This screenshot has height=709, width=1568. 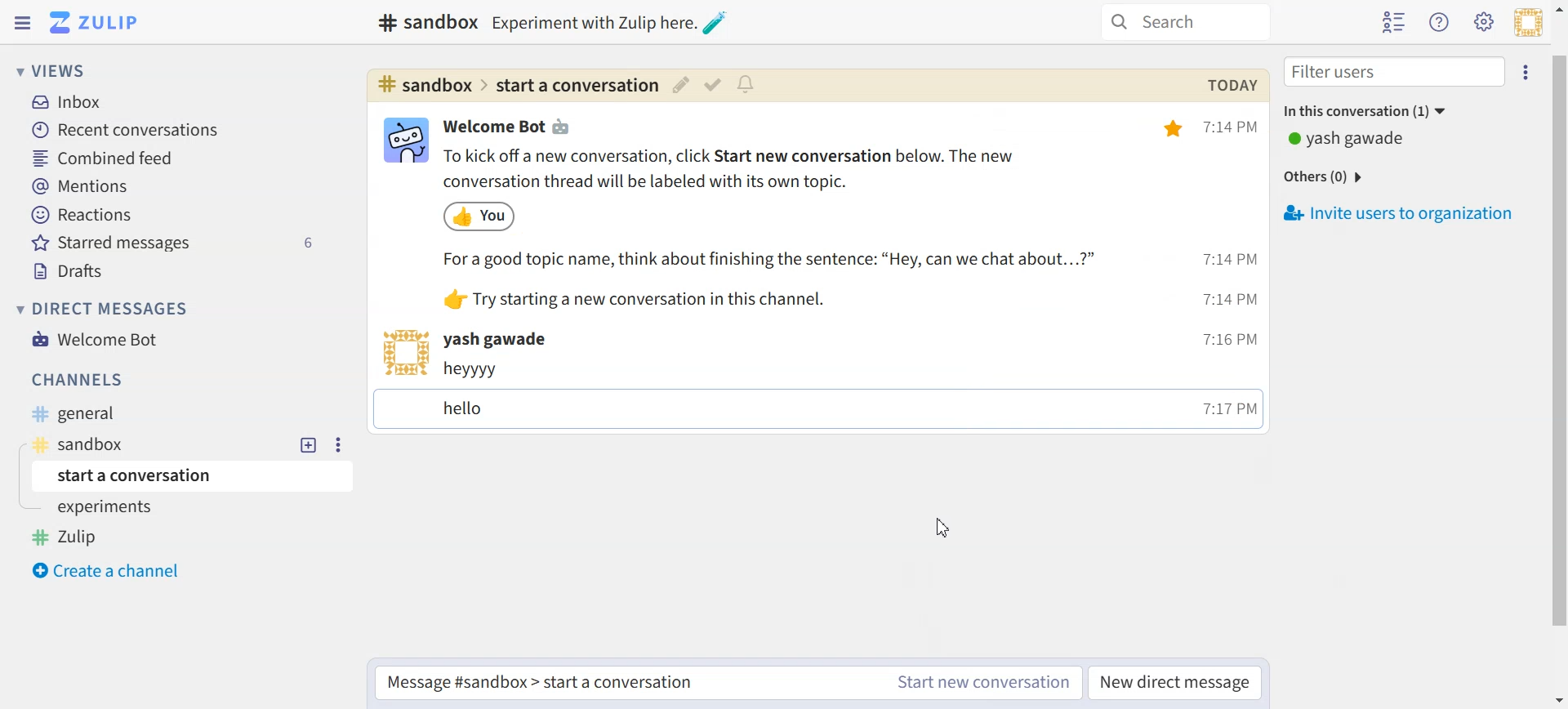 I want to click on Direct messages, so click(x=106, y=309).